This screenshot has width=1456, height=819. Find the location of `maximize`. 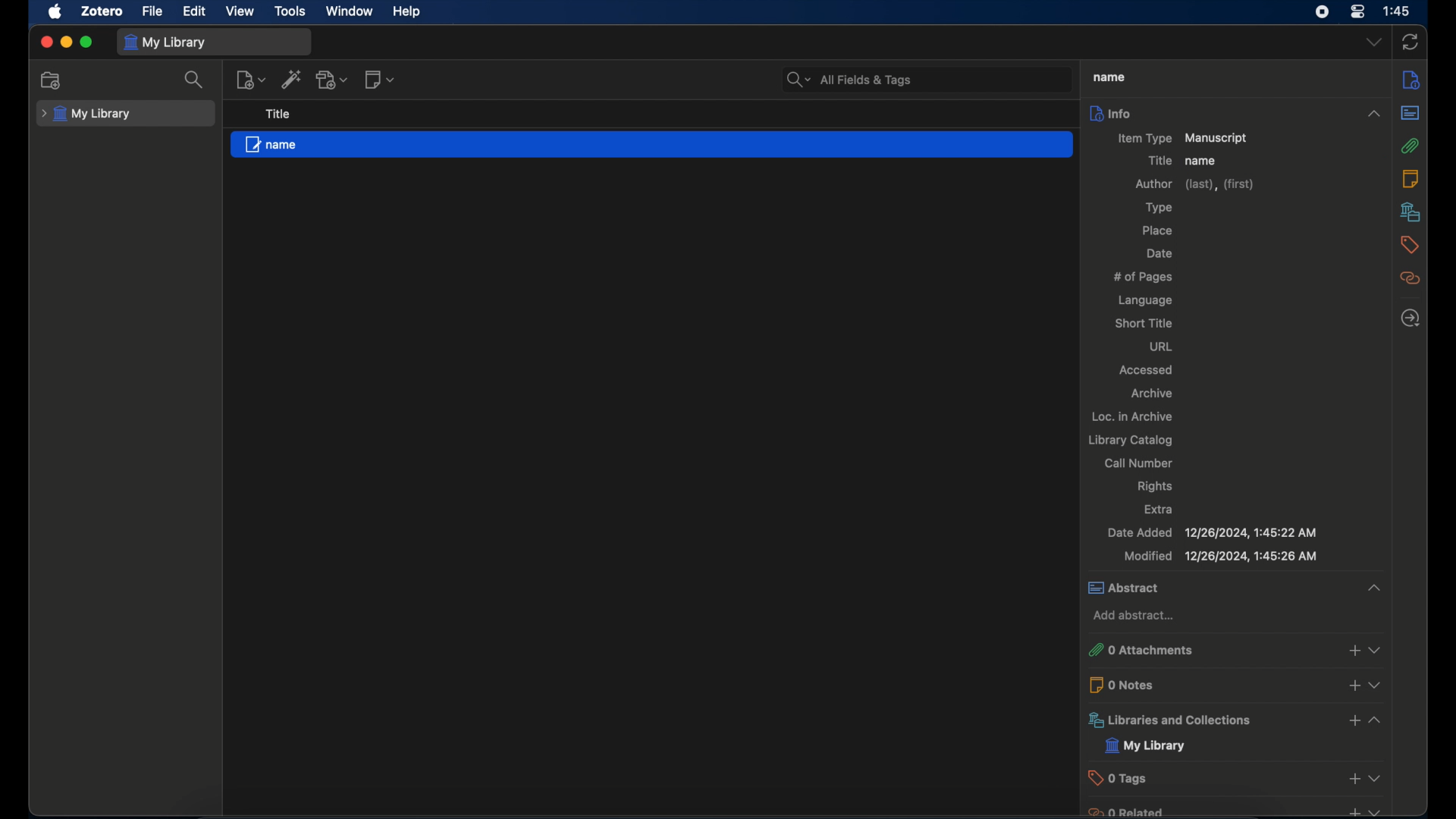

maximize is located at coordinates (86, 42).